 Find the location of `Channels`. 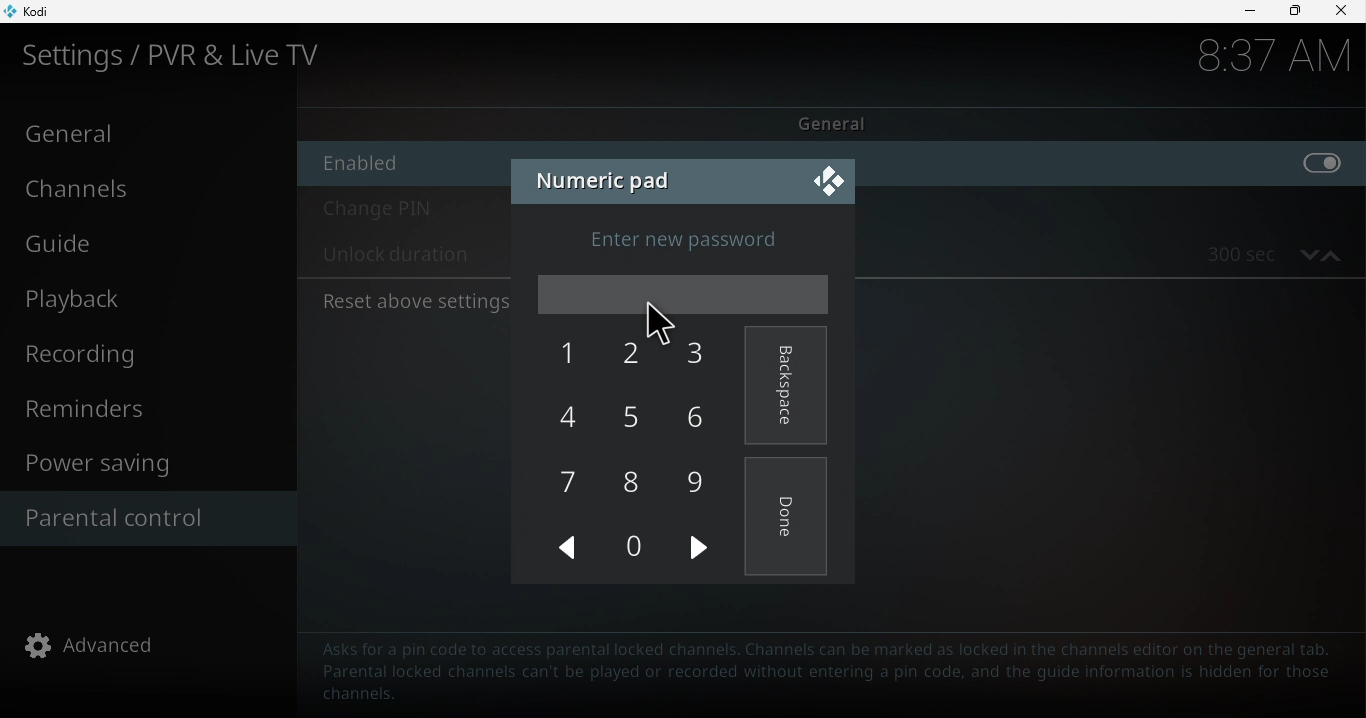

Channels is located at coordinates (142, 187).